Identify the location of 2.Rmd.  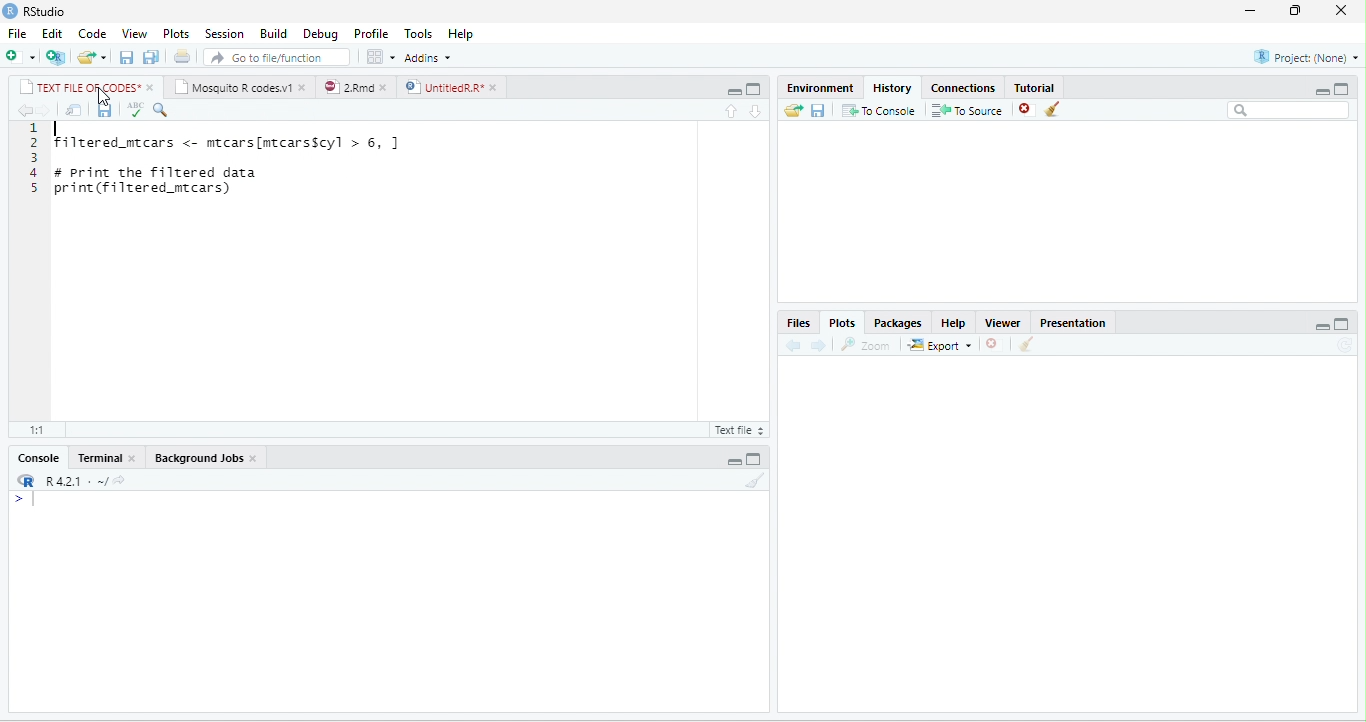
(348, 87).